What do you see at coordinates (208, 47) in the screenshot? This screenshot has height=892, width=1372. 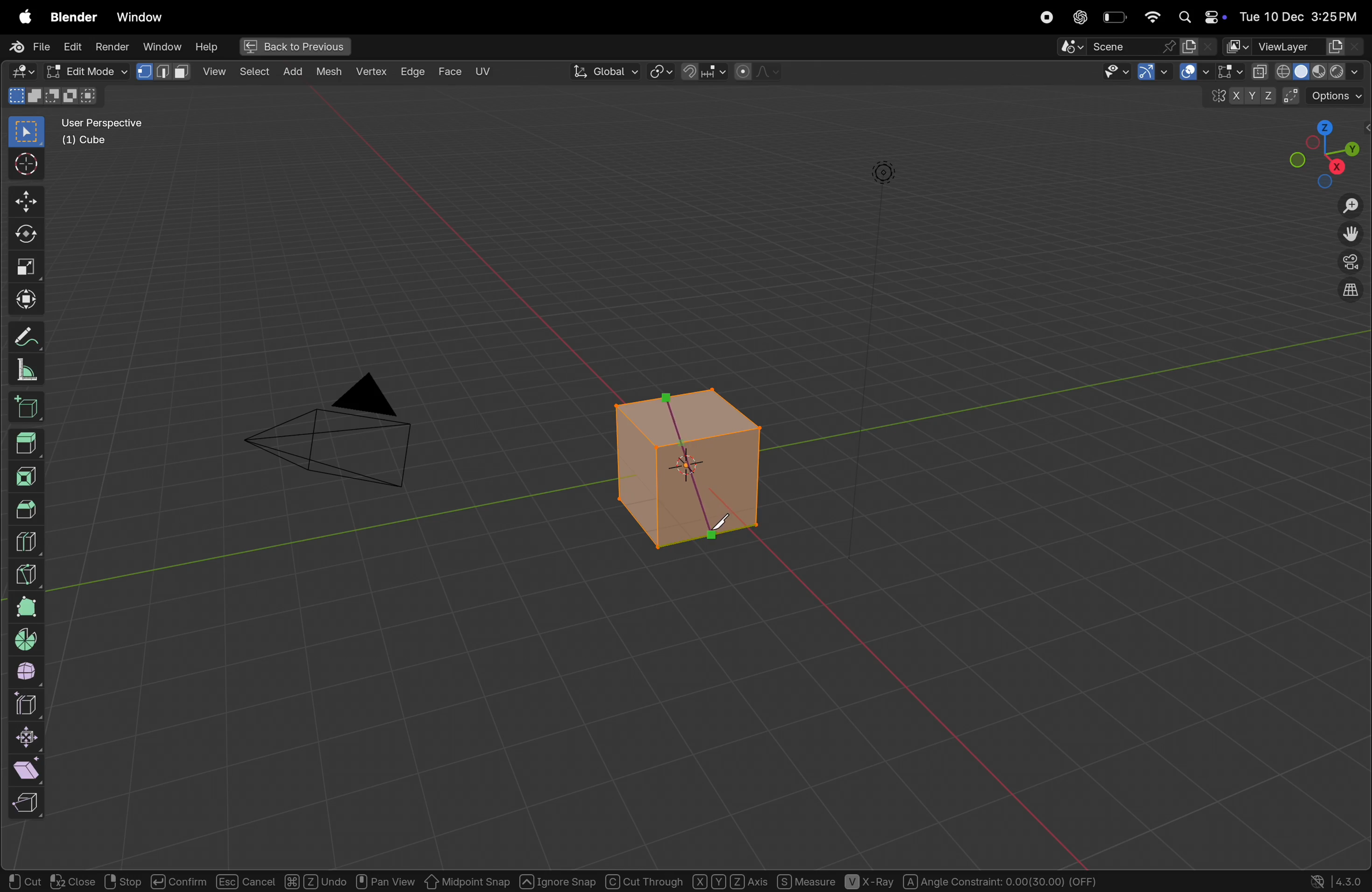 I see `Help` at bounding box center [208, 47].